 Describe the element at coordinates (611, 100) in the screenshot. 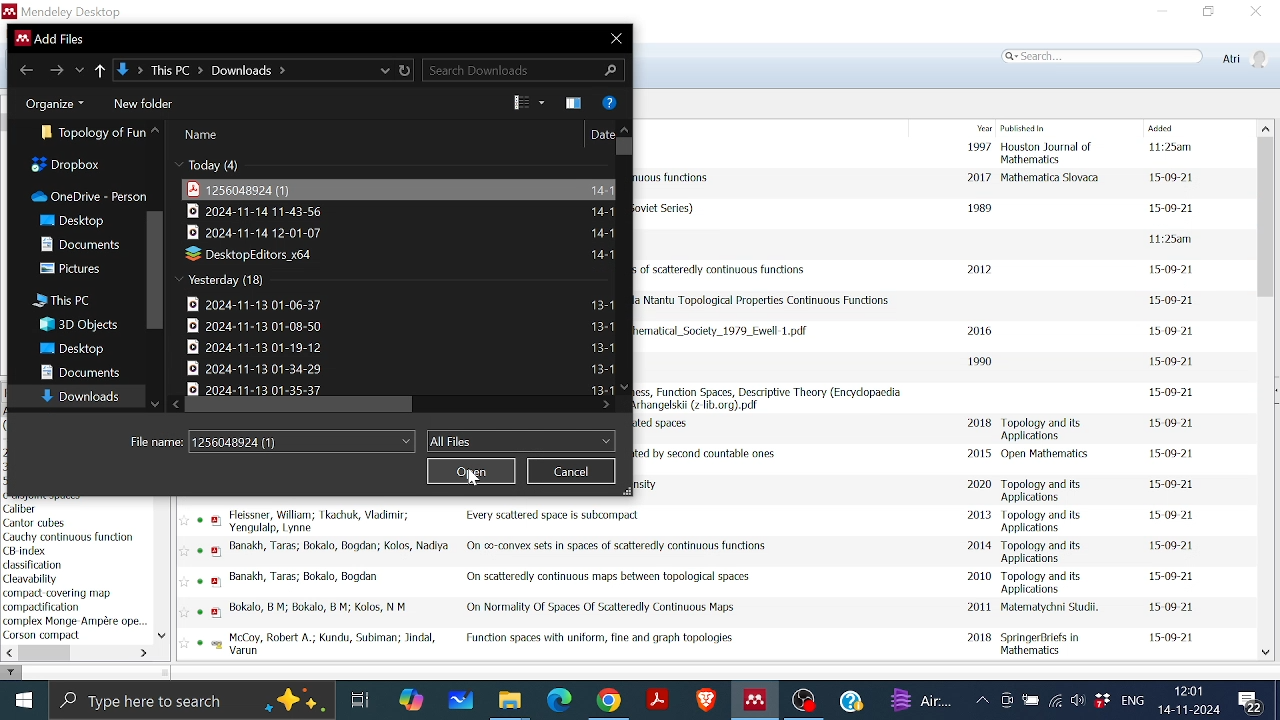

I see `Help` at that location.